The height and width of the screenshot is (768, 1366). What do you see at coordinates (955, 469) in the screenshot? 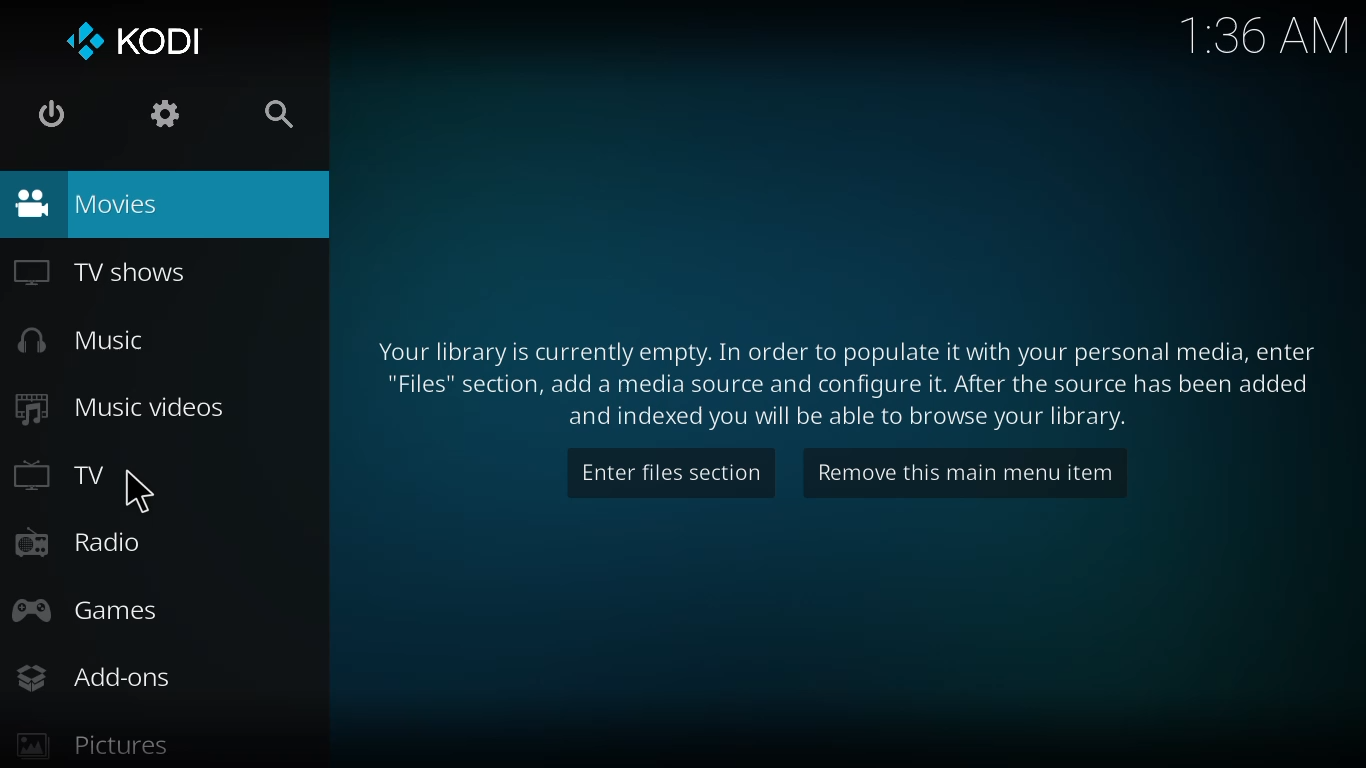
I see `remove this main menu item` at bounding box center [955, 469].